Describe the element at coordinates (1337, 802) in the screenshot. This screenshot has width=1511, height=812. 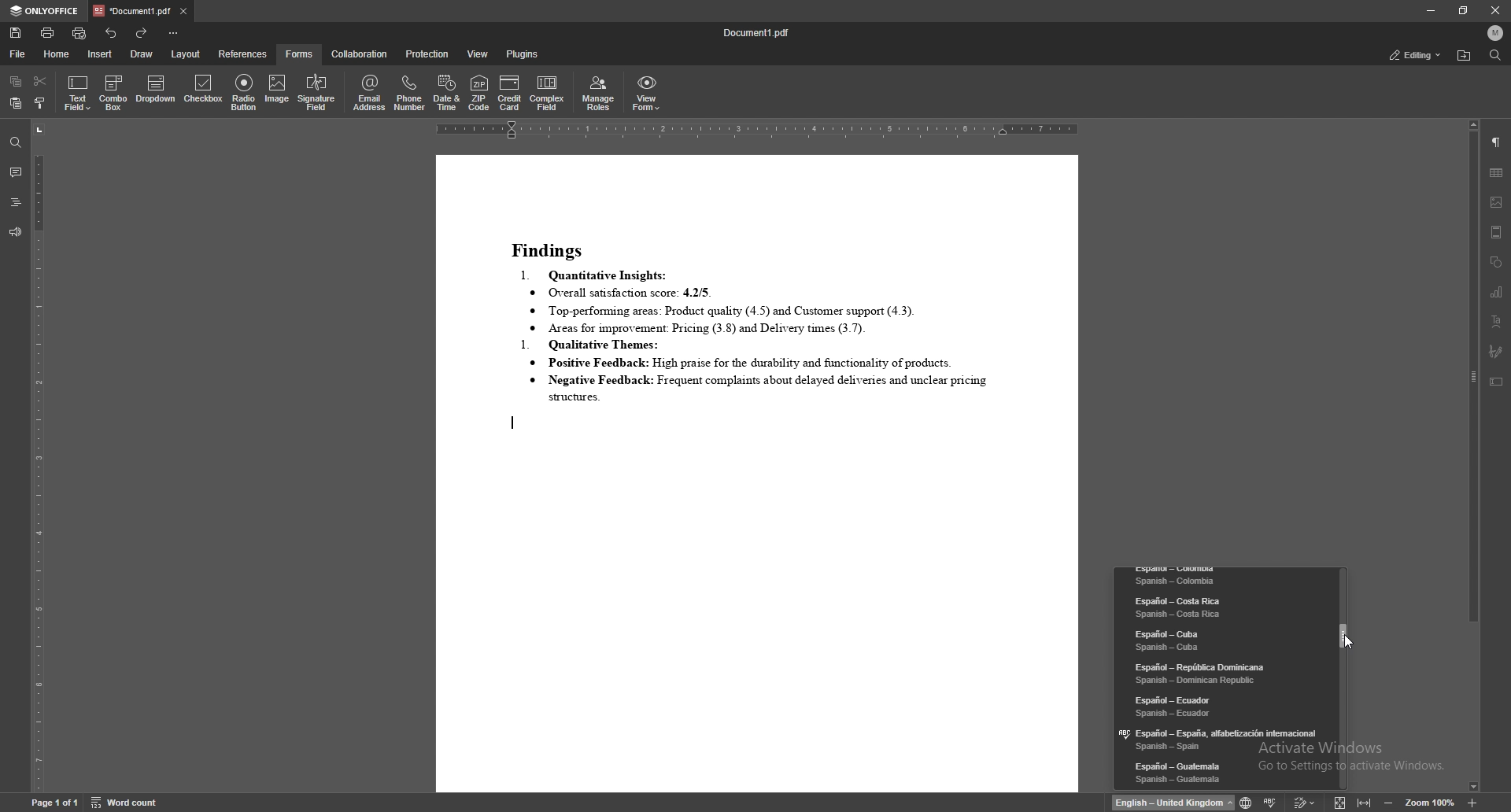
I see `fit to screen` at that location.